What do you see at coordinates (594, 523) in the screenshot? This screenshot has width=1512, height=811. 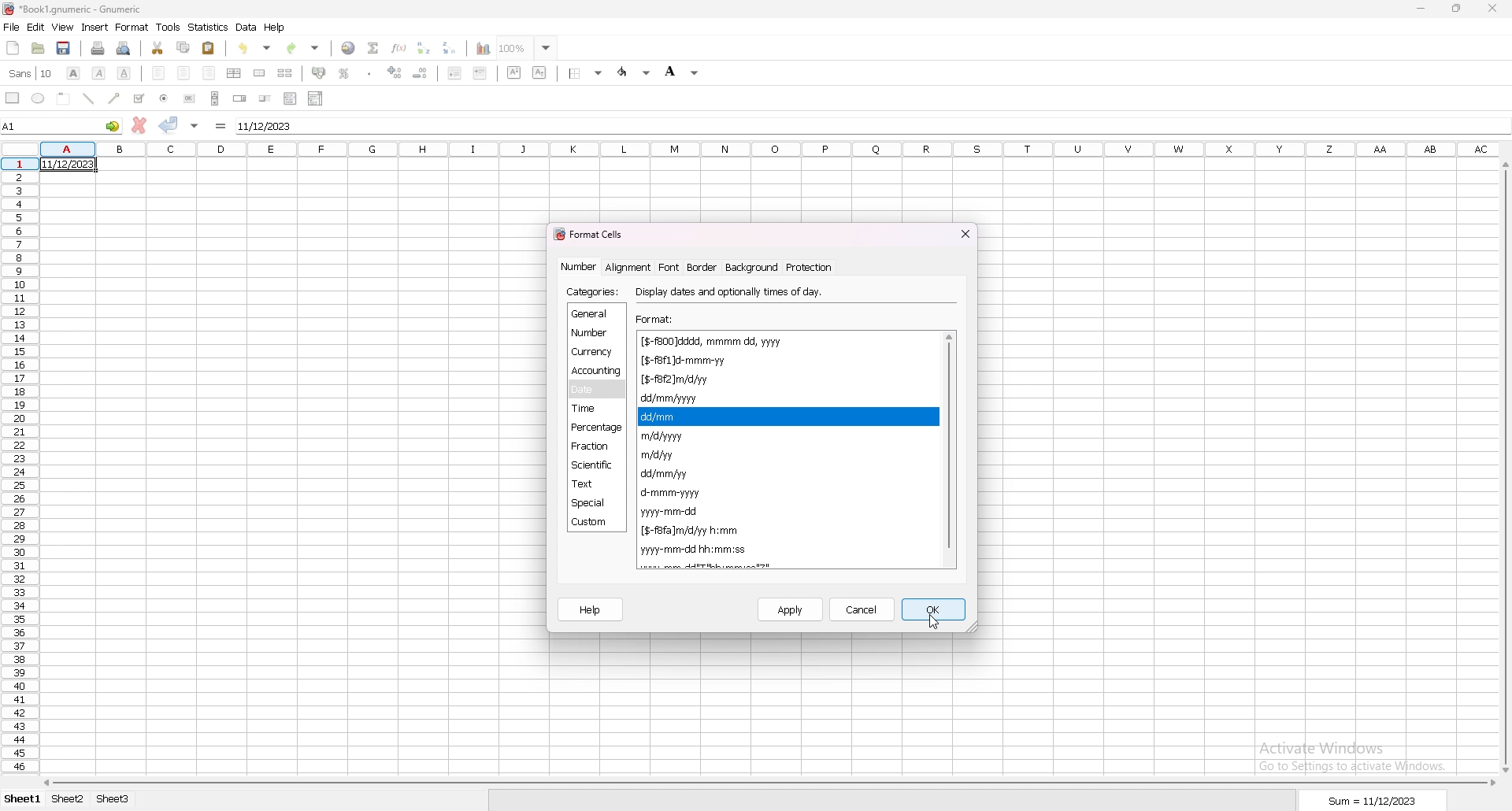 I see `custom` at bounding box center [594, 523].